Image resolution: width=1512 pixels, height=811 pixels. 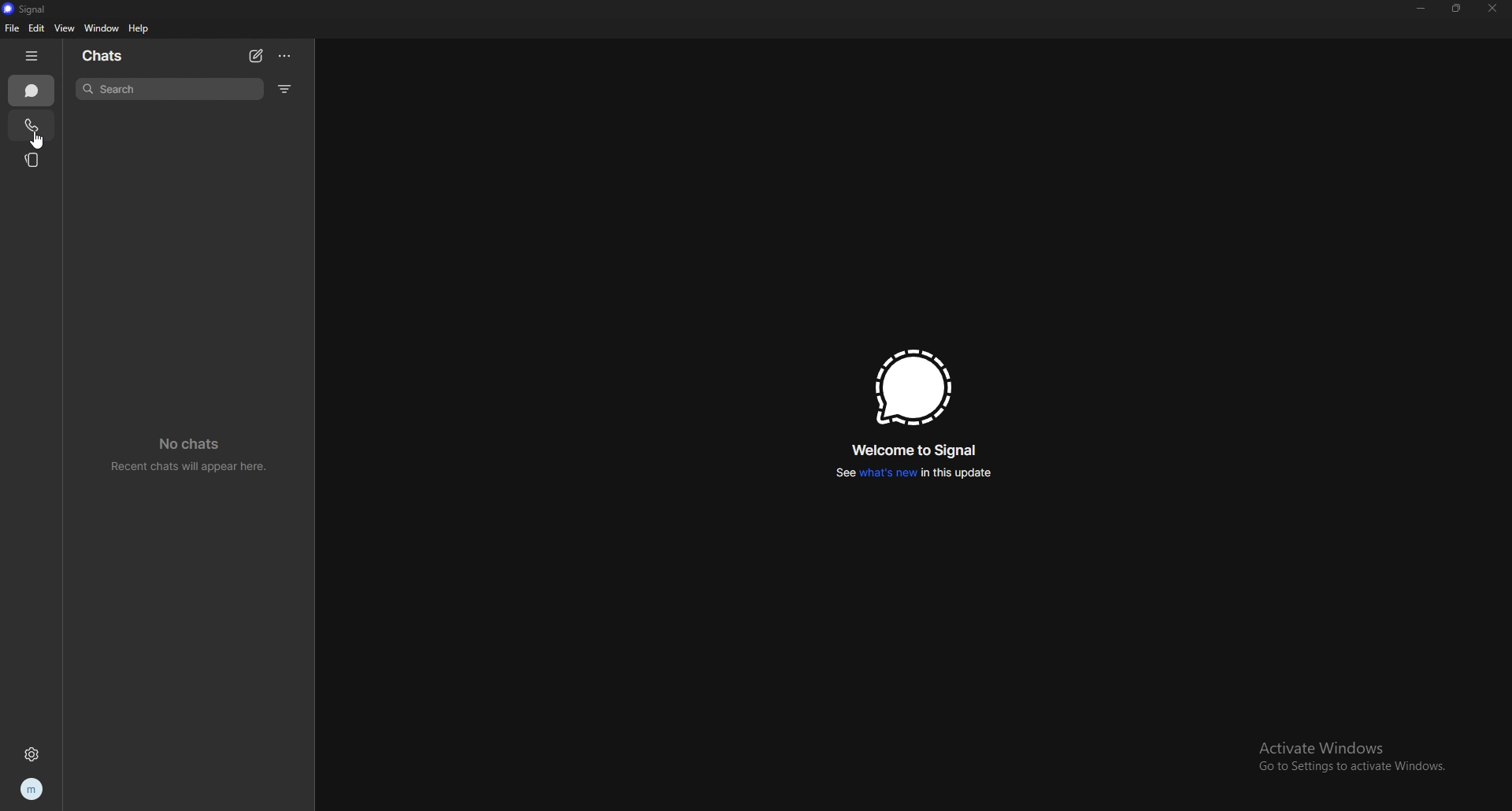 What do you see at coordinates (1458, 7) in the screenshot?
I see `resize` at bounding box center [1458, 7].